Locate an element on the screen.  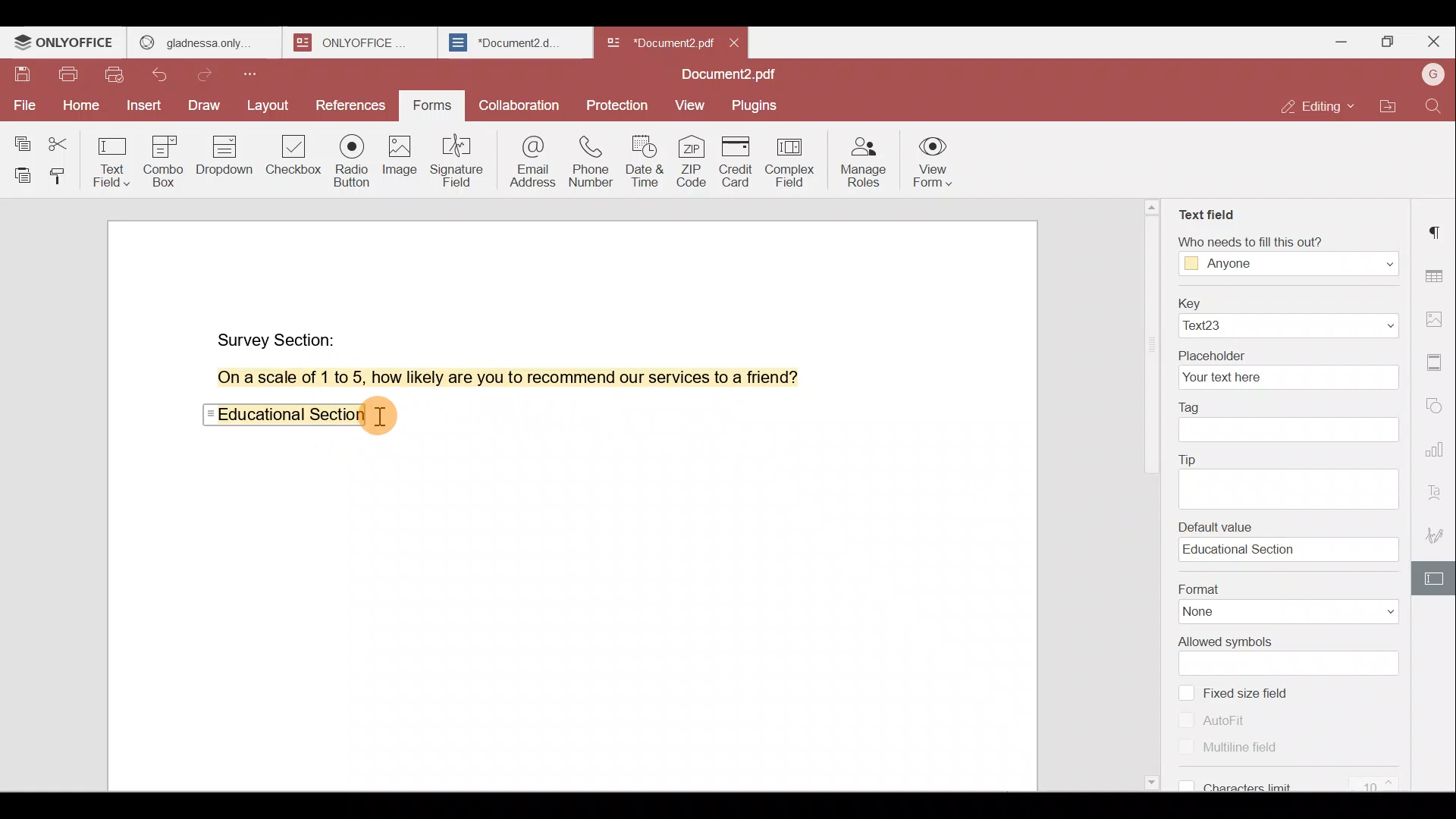
close is located at coordinates (734, 42).